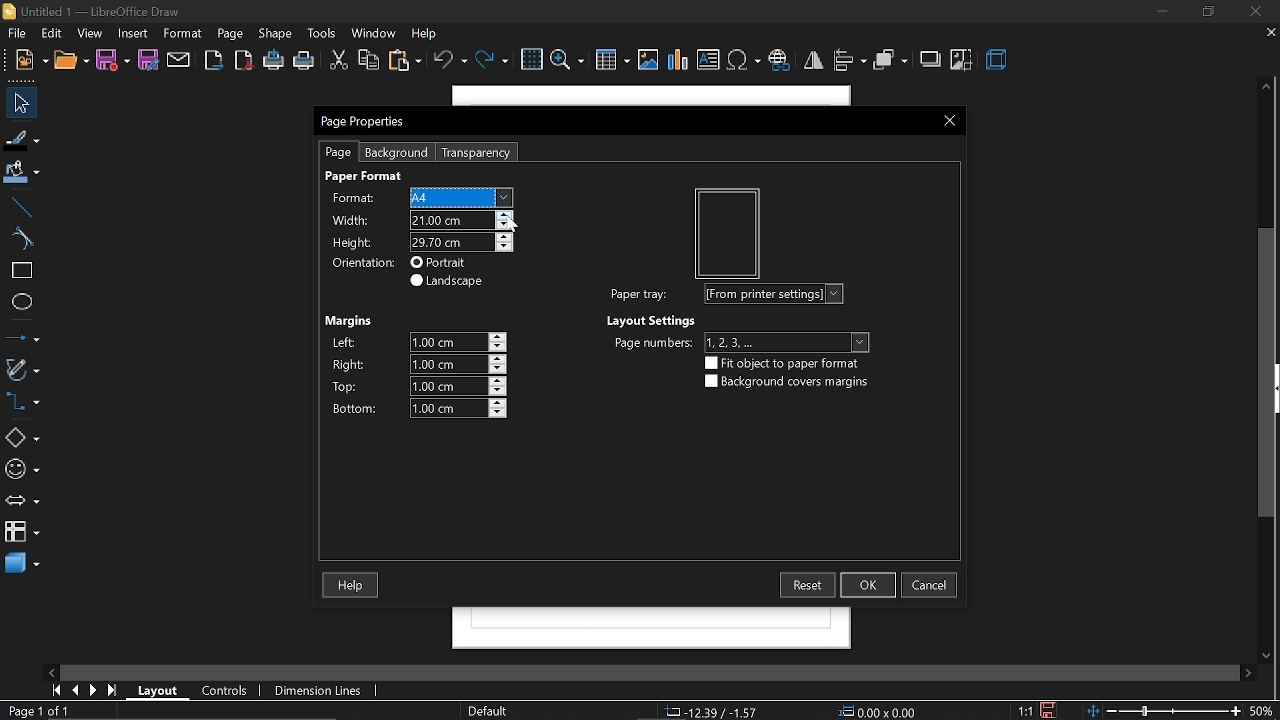 Image resolution: width=1280 pixels, height=720 pixels. What do you see at coordinates (22, 338) in the screenshot?
I see `line and arrows` at bounding box center [22, 338].